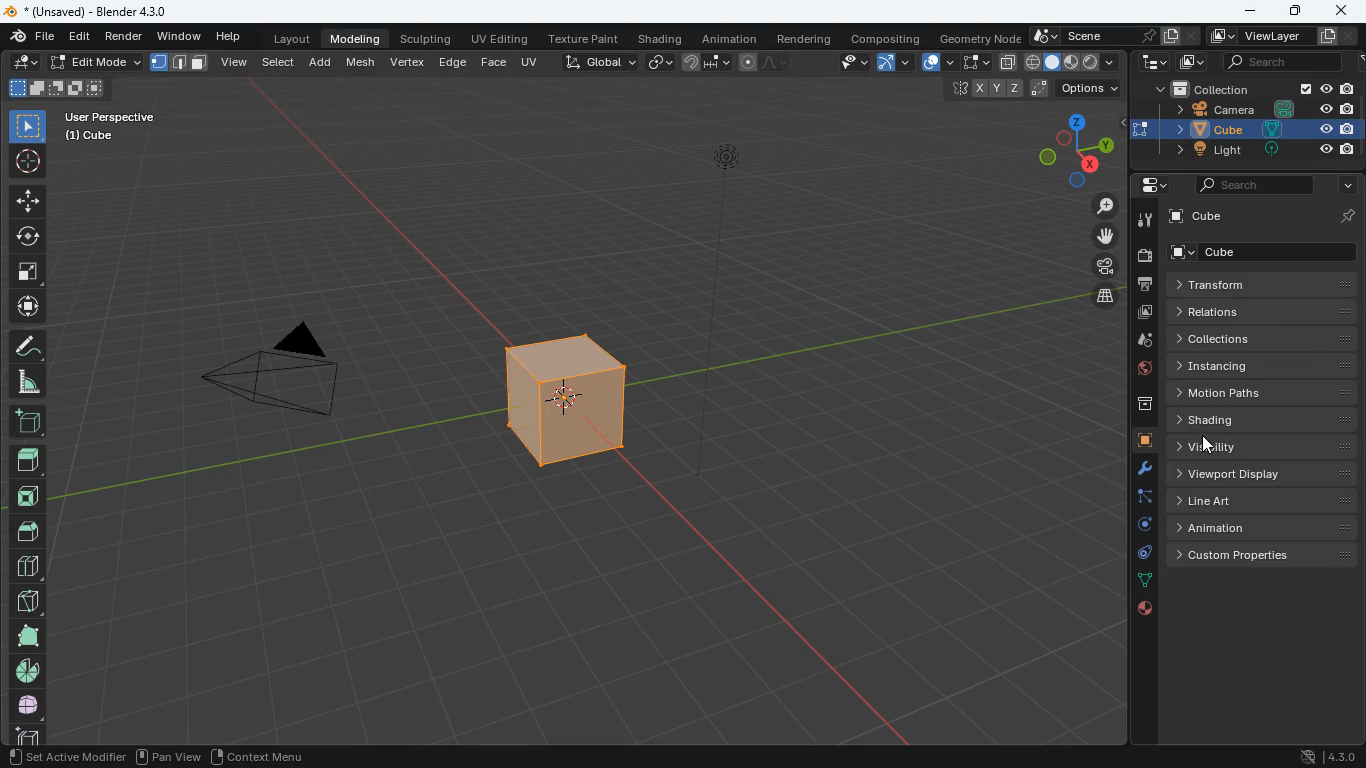  I want to click on tools, so click(1146, 222).